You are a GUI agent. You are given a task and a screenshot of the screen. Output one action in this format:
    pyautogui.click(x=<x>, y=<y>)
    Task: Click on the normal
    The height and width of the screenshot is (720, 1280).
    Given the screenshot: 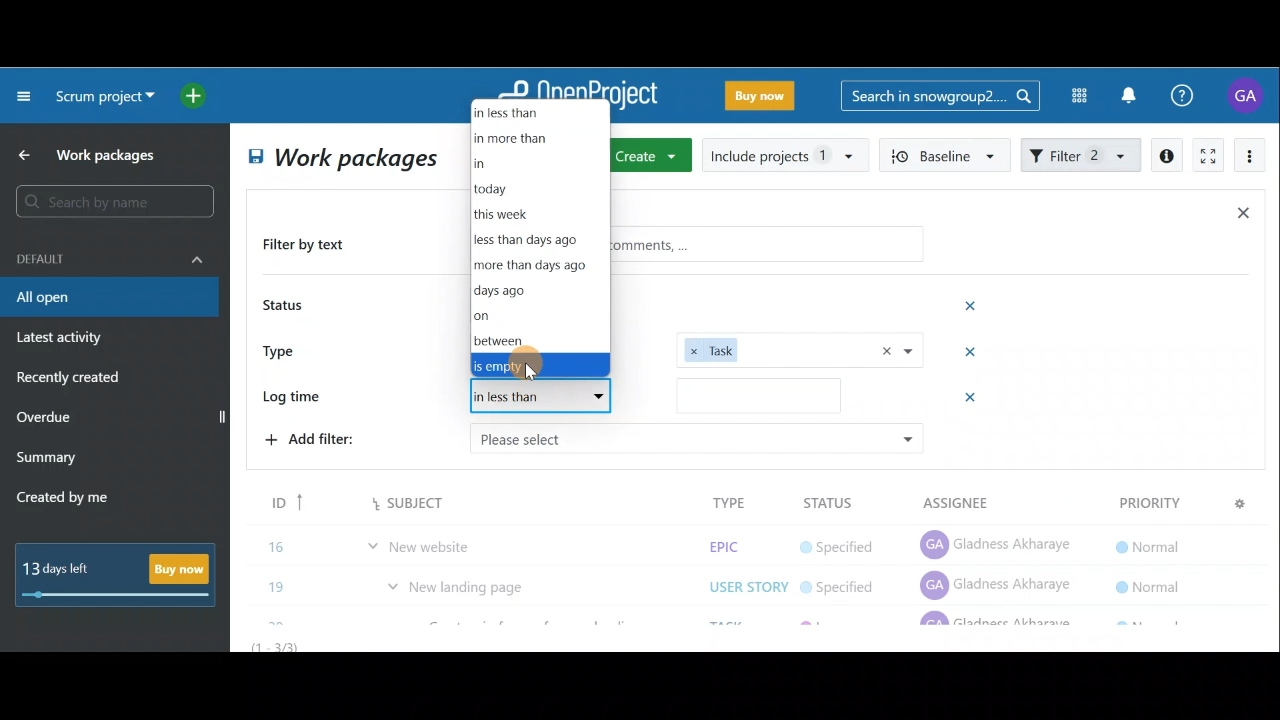 What is the action you would take?
    pyautogui.click(x=1145, y=501)
    